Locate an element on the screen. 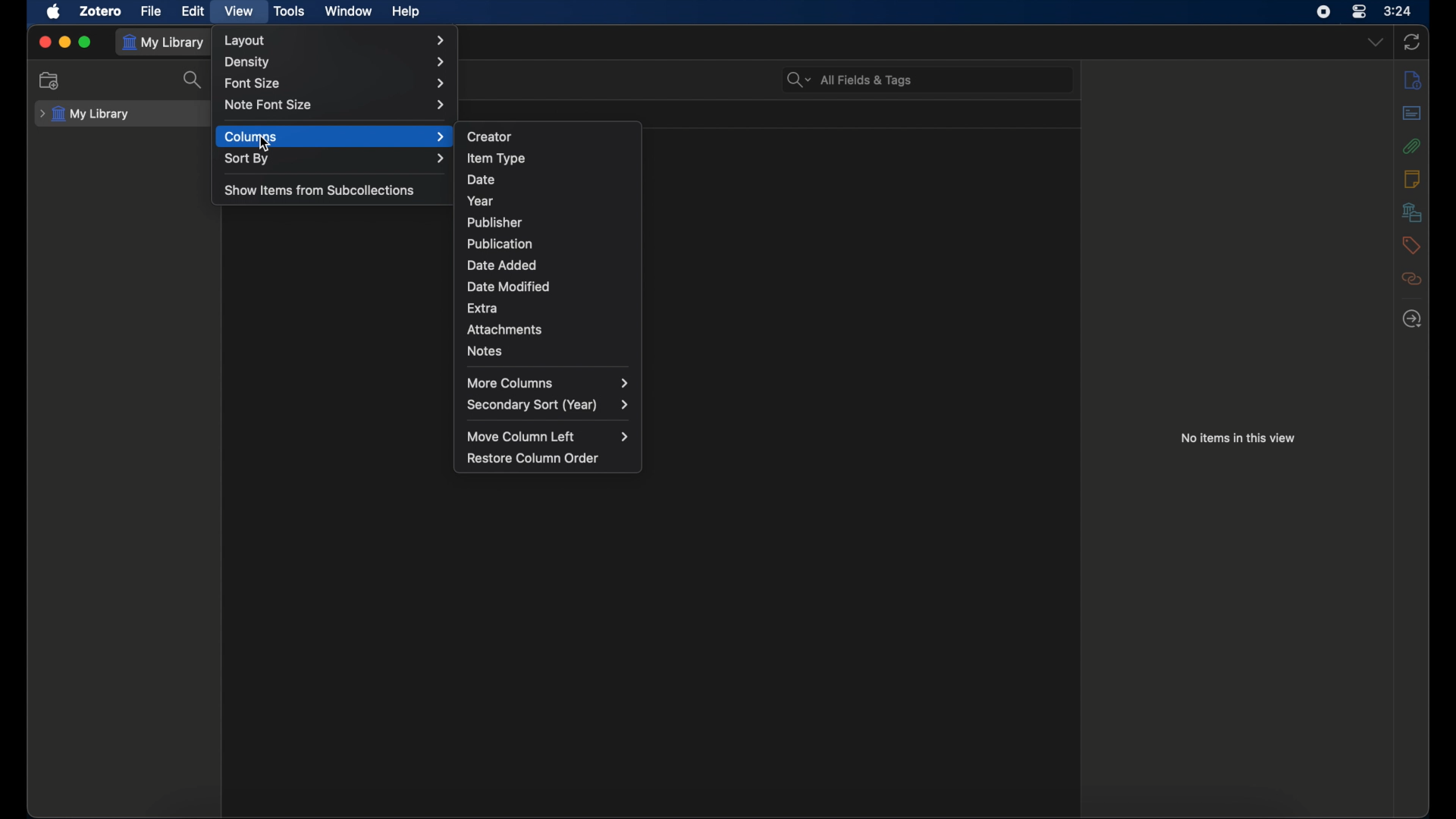 This screenshot has width=1456, height=819. all fields & tags is located at coordinates (849, 80).